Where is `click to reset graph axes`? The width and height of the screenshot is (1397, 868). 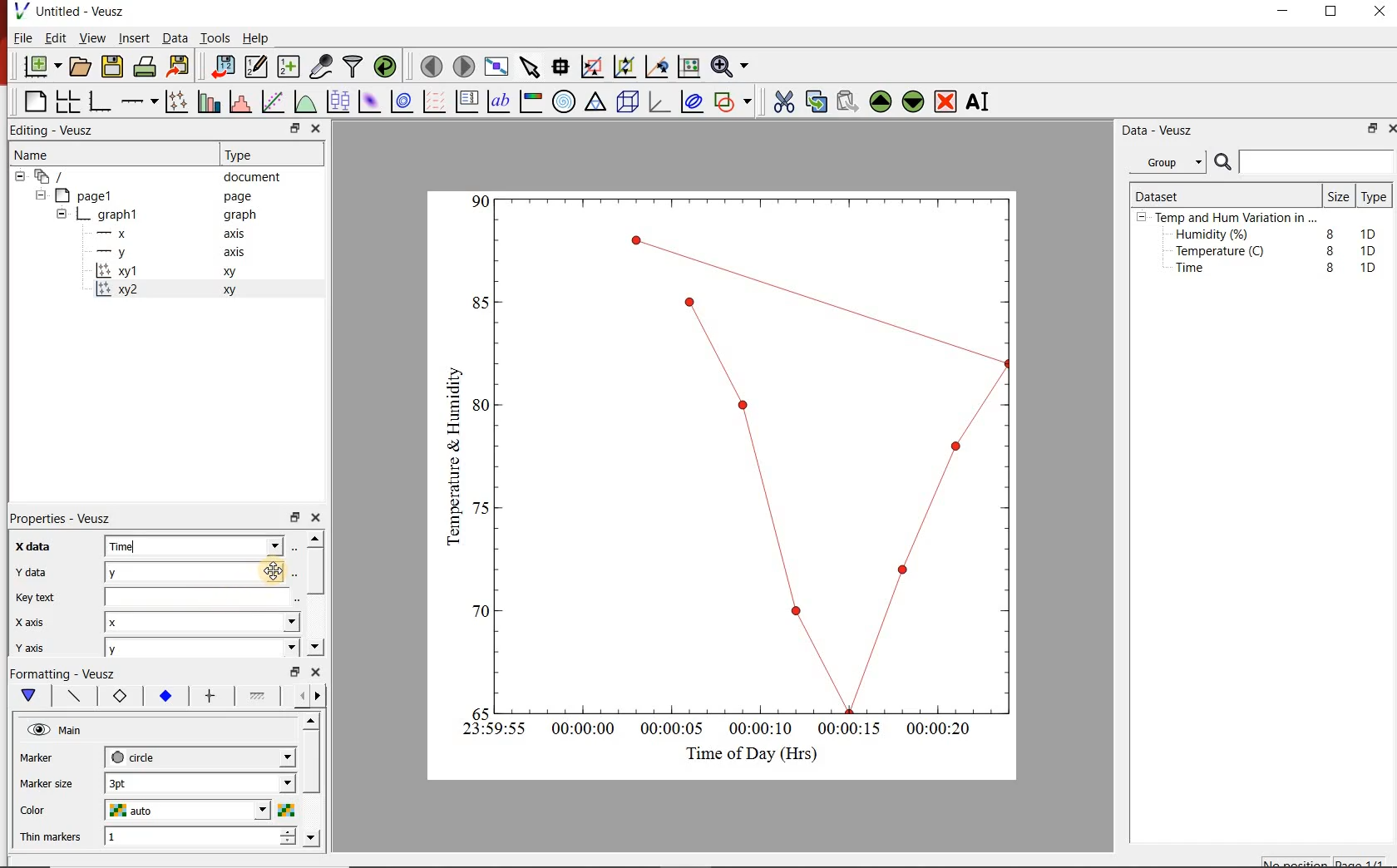
click to reset graph axes is located at coordinates (686, 67).